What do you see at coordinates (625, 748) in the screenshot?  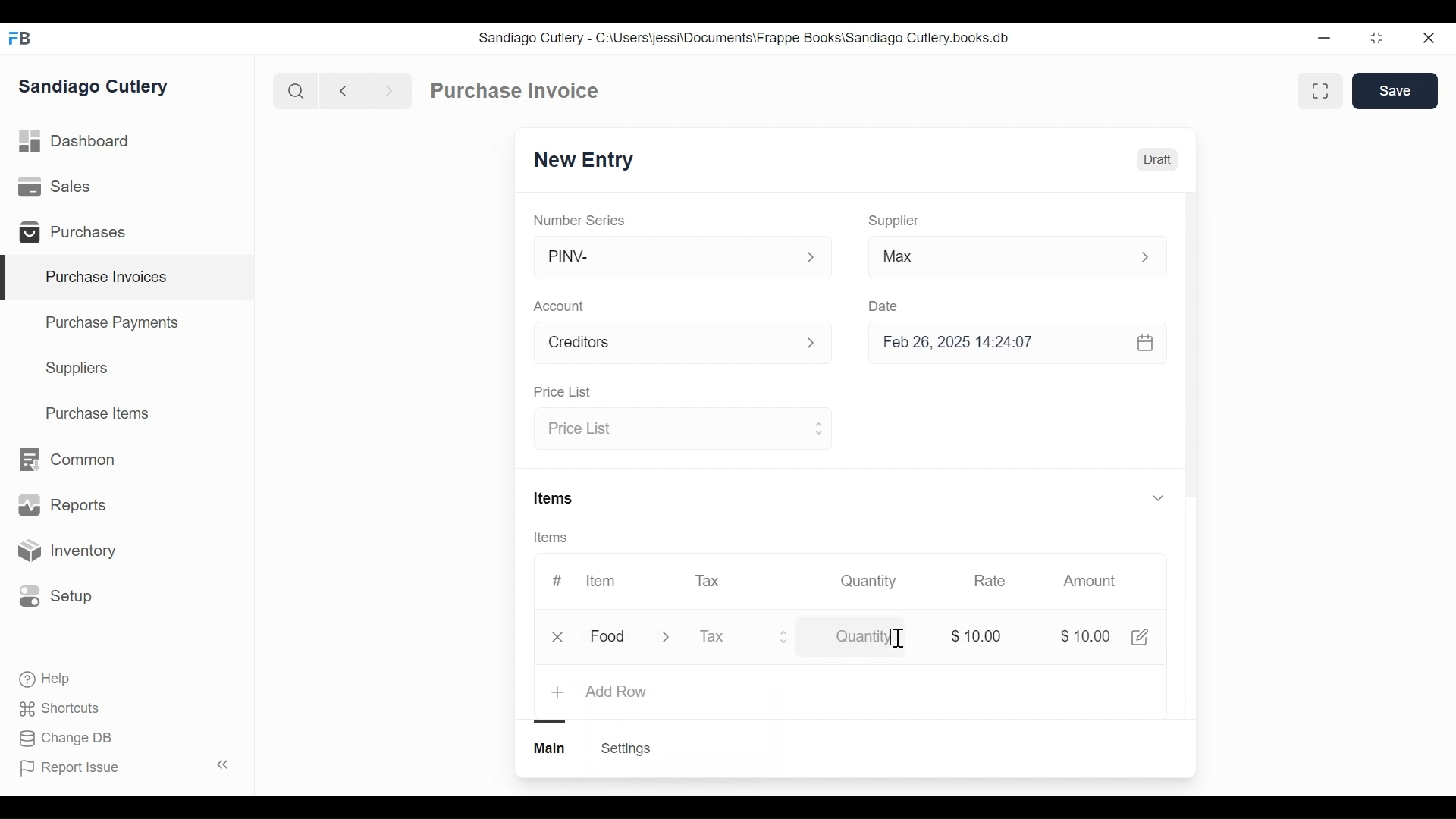 I see `Settings` at bounding box center [625, 748].